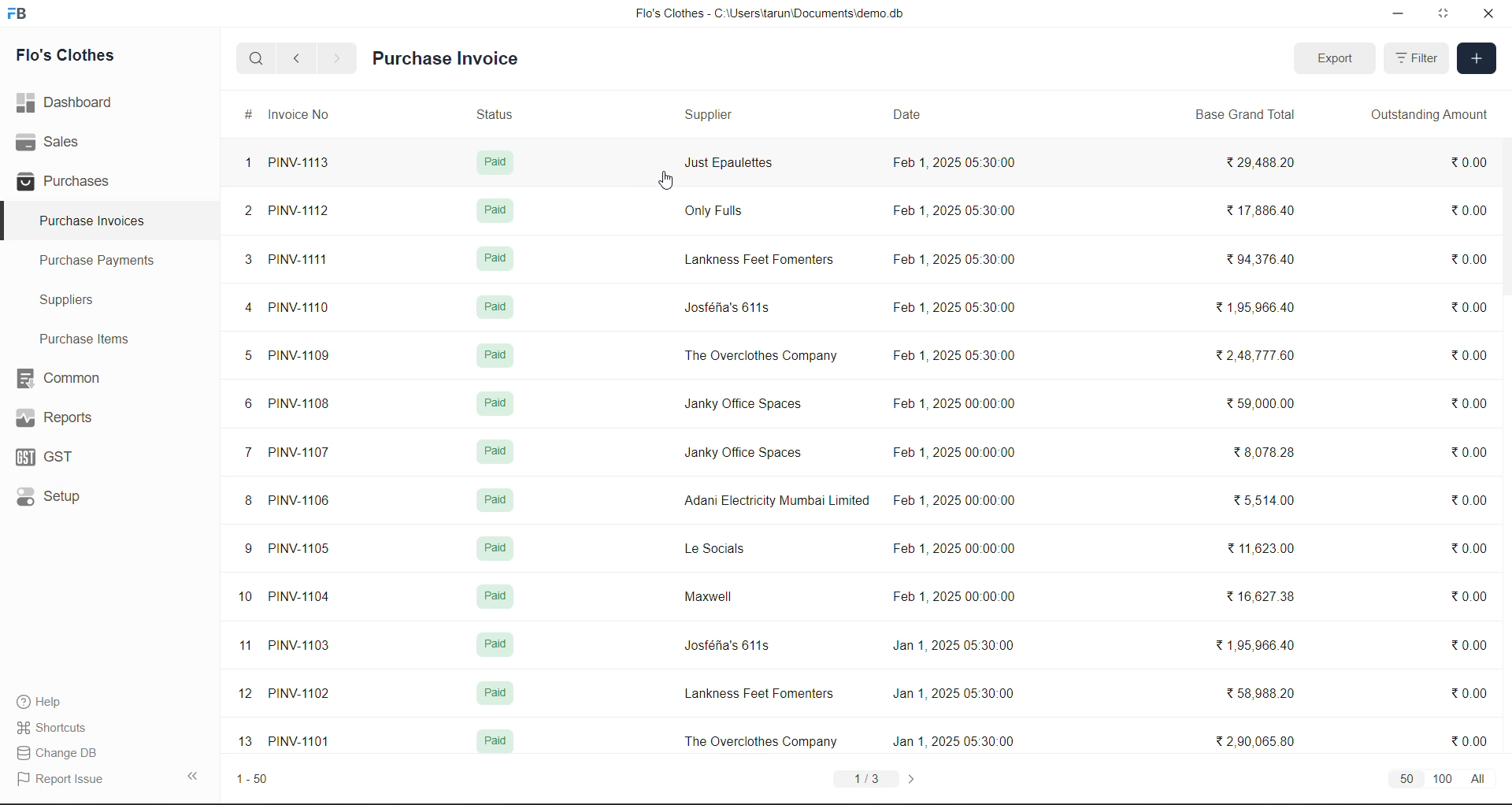 The height and width of the screenshot is (805, 1512). What do you see at coordinates (1473, 698) in the screenshot?
I see `₹0.00` at bounding box center [1473, 698].